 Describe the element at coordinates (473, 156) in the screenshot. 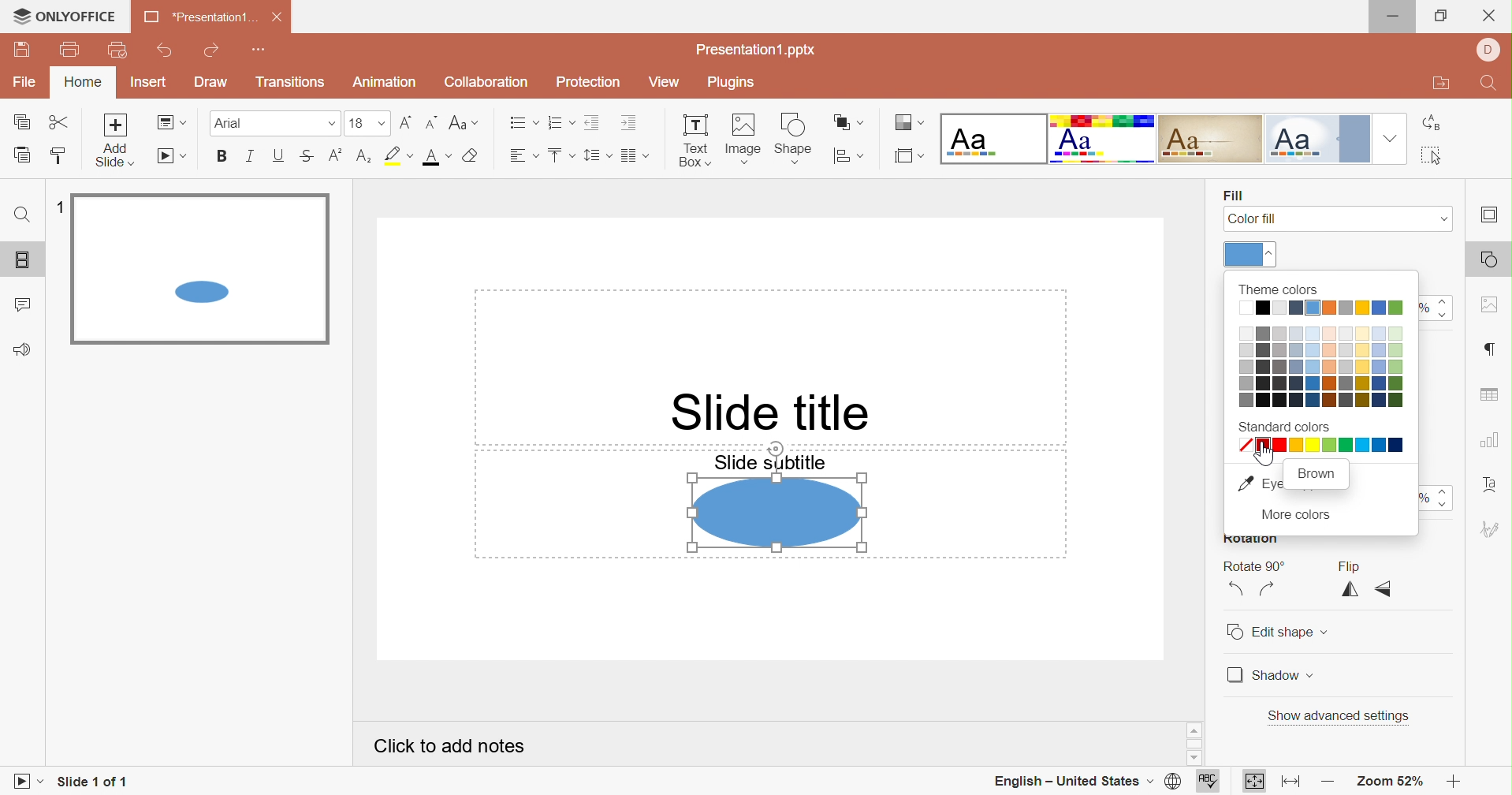

I see `Clear style` at that location.